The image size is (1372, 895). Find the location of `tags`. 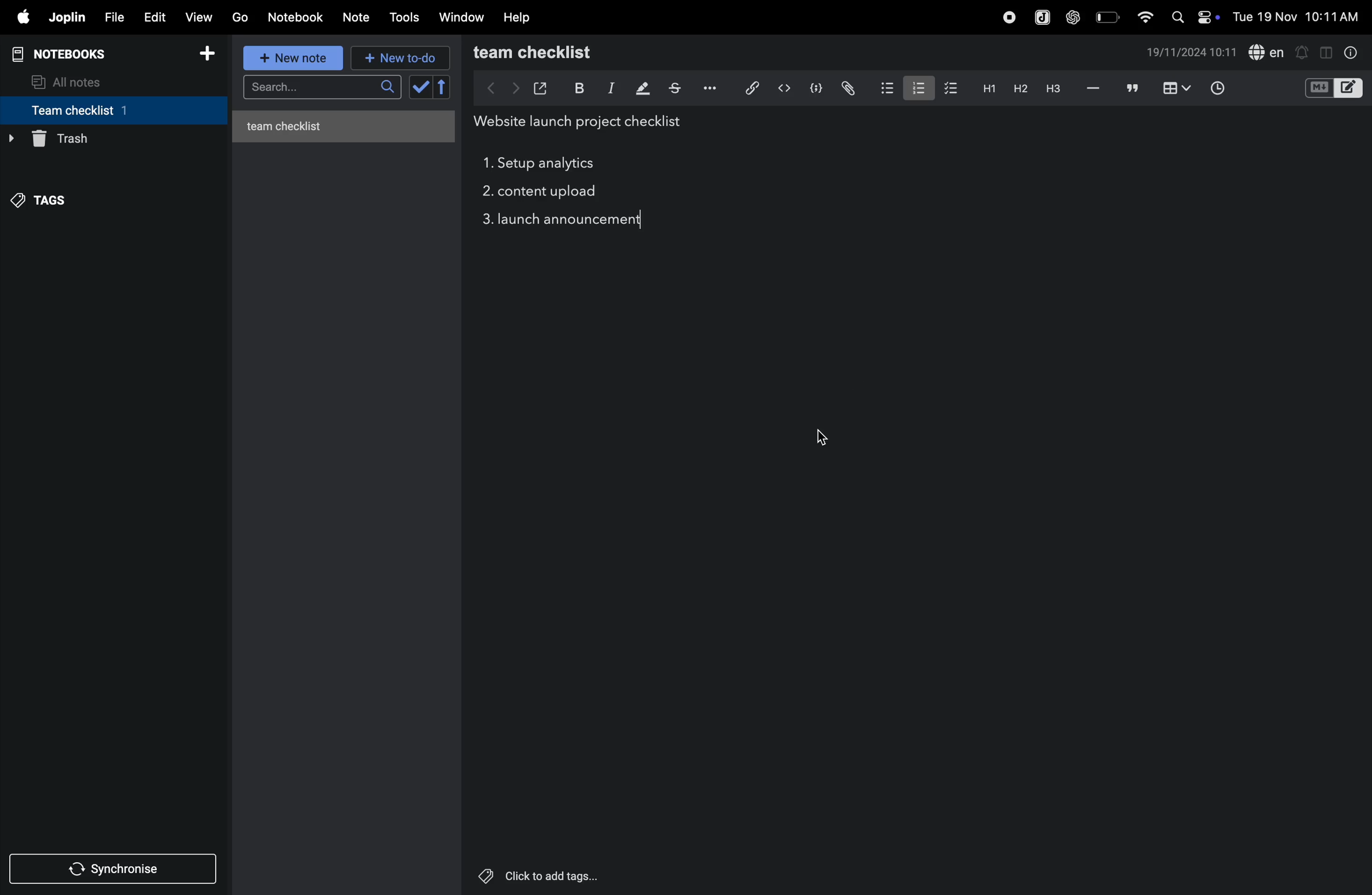

tags is located at coordinates (47, 197).